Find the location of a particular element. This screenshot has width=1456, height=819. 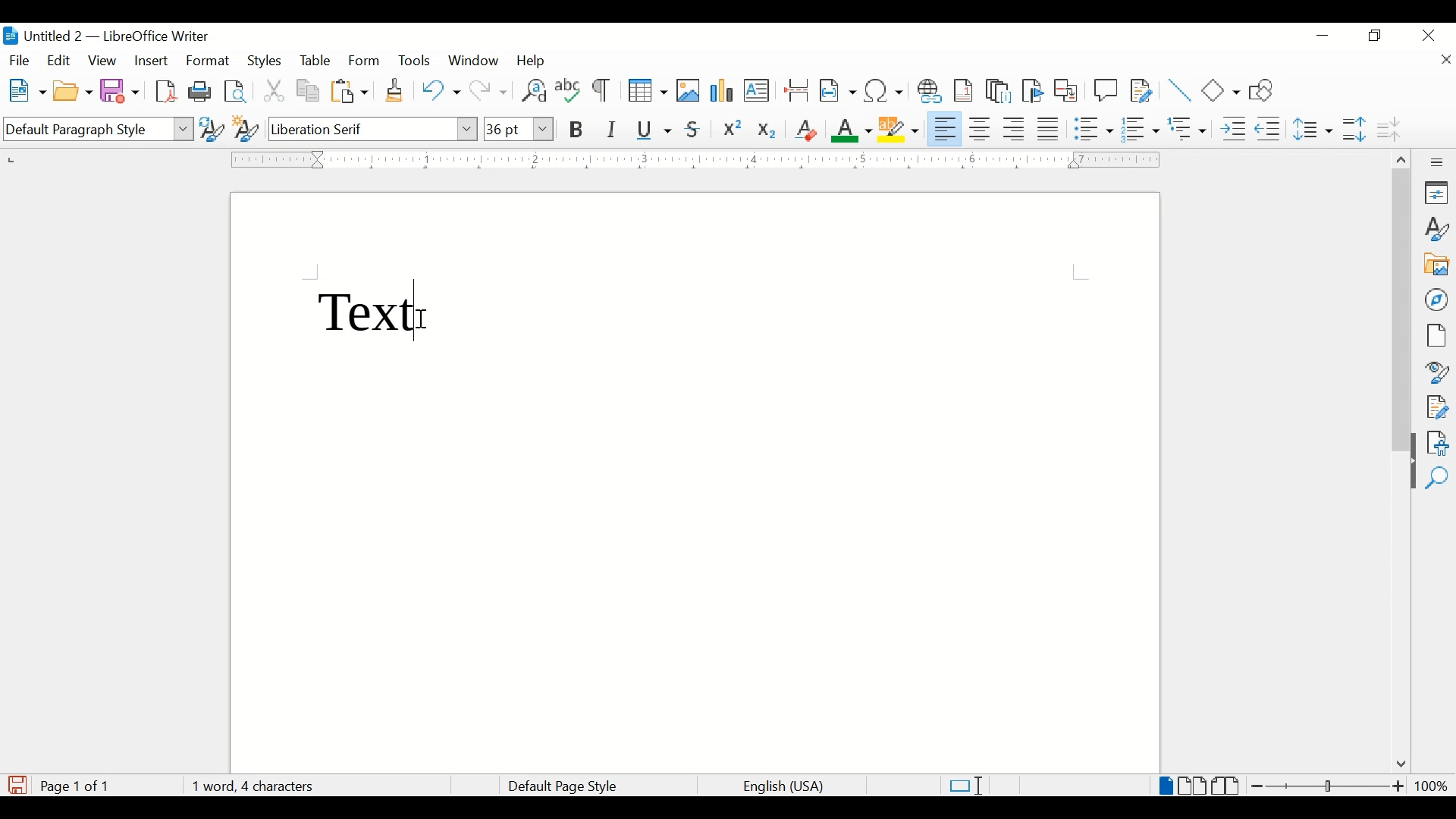

toggle print preview is located at coordinates (237, 91).